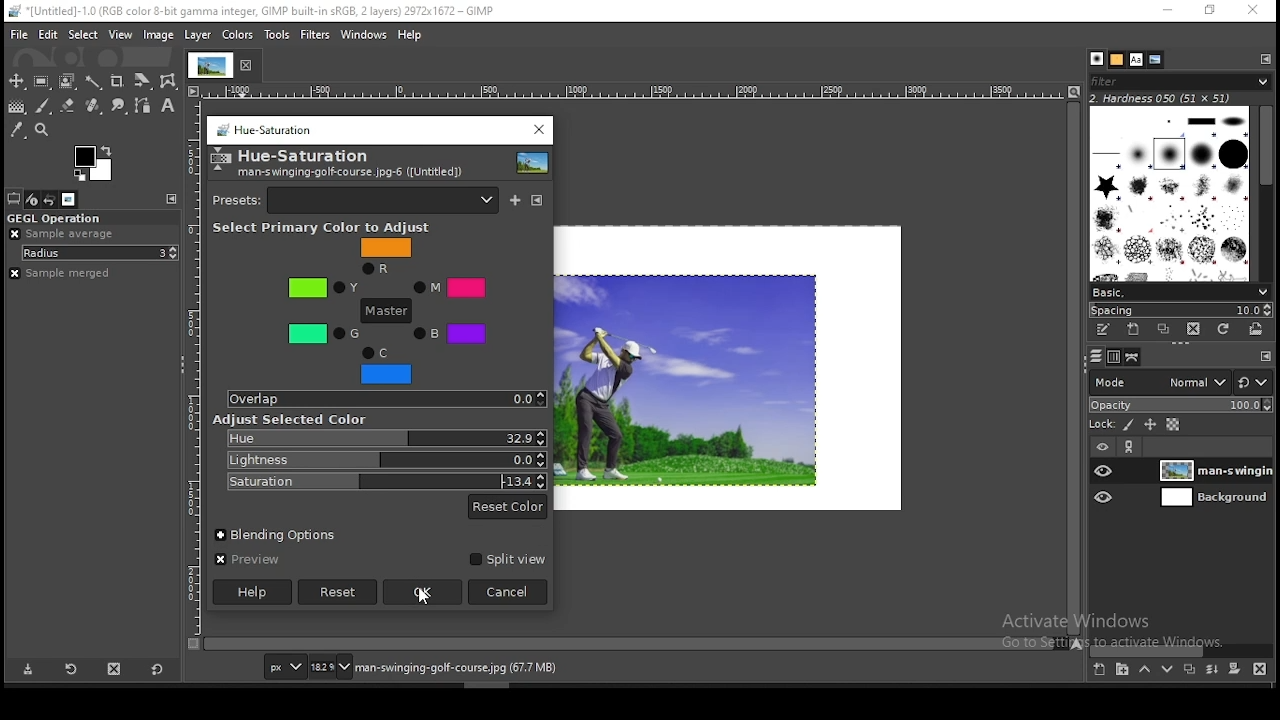 The height and width of the screenshot is (720, 1280). What do you see at coordinates (172, 199) in the screenshot?
I see `configure this tab` at bounding box center [172, 199].